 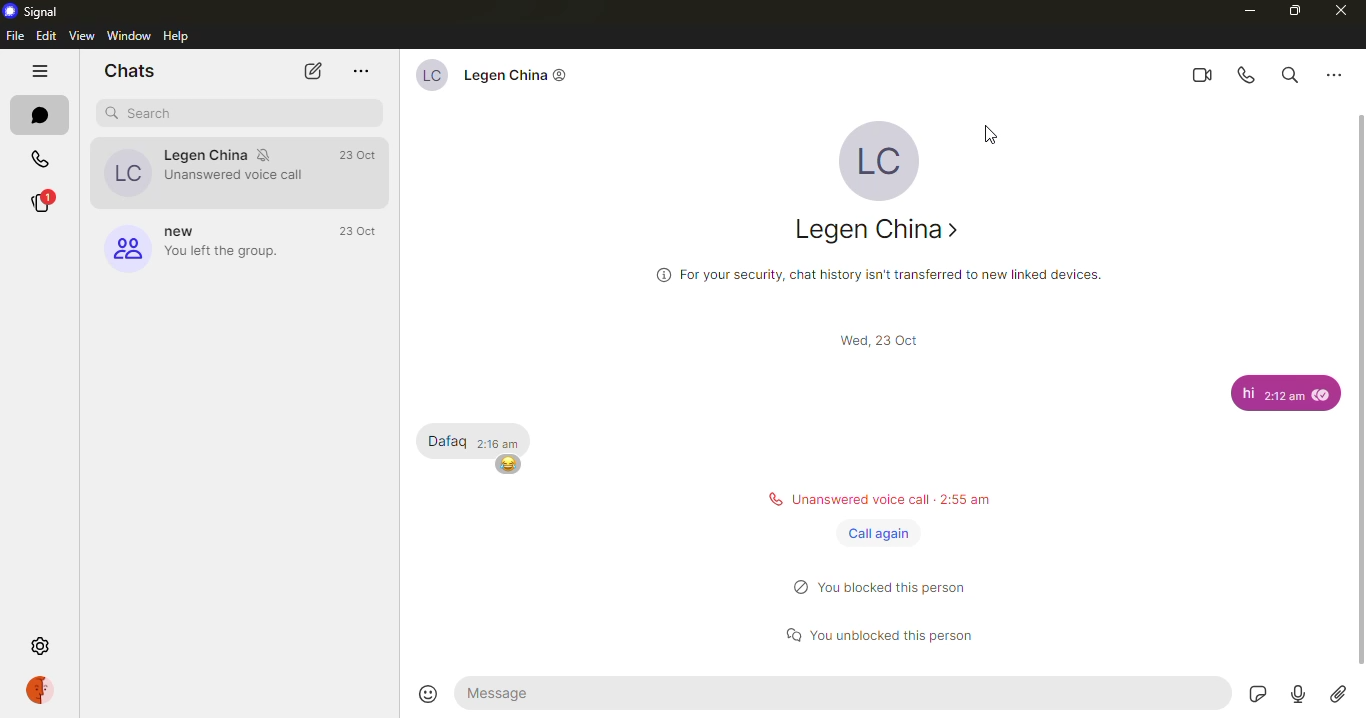 What do you see at coordinates (1292, 73) in the screenshot?
I see `search` at bounding box center [1292, 73].